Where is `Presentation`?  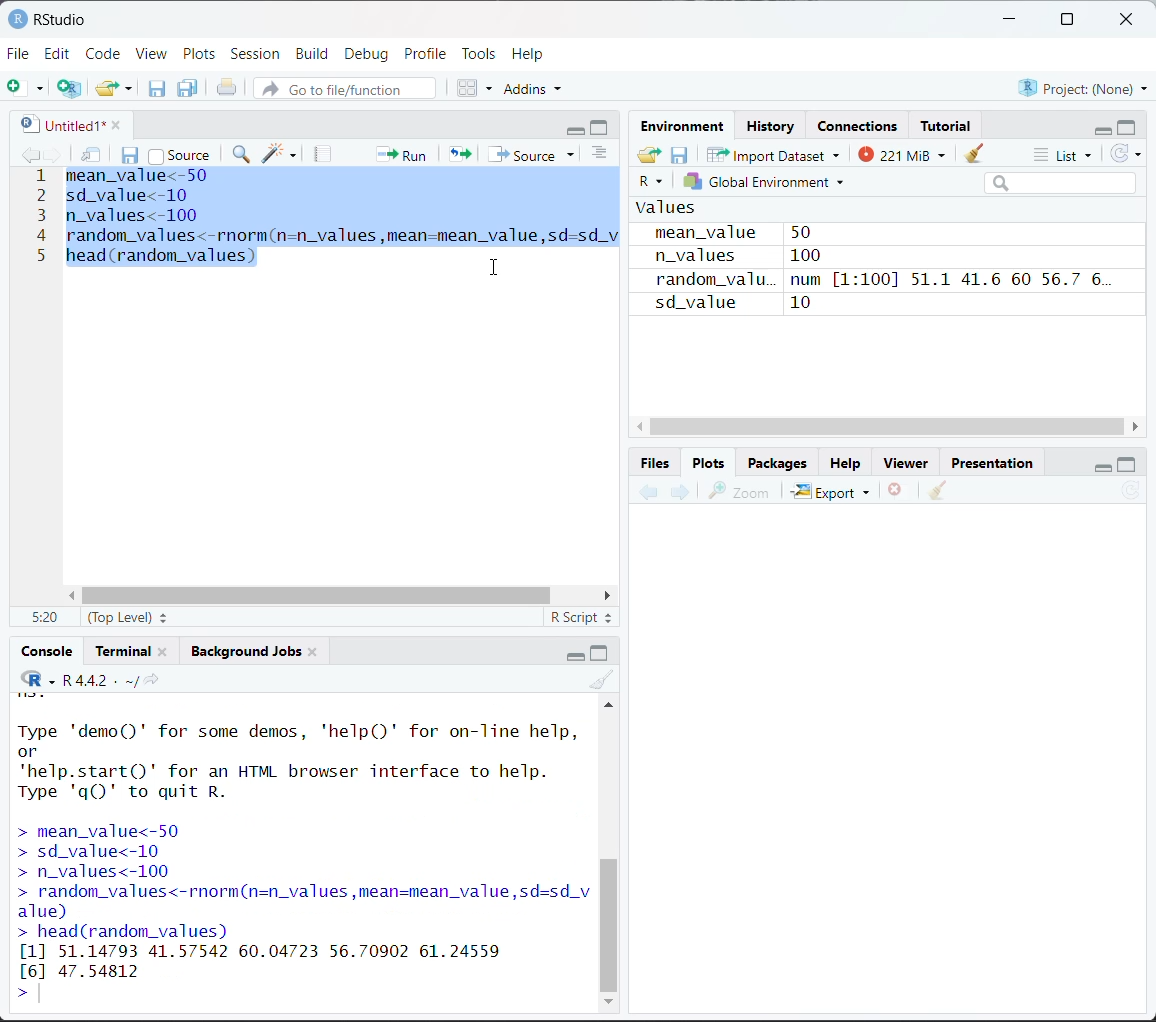 Presentation is located at coordinates (993, 464).